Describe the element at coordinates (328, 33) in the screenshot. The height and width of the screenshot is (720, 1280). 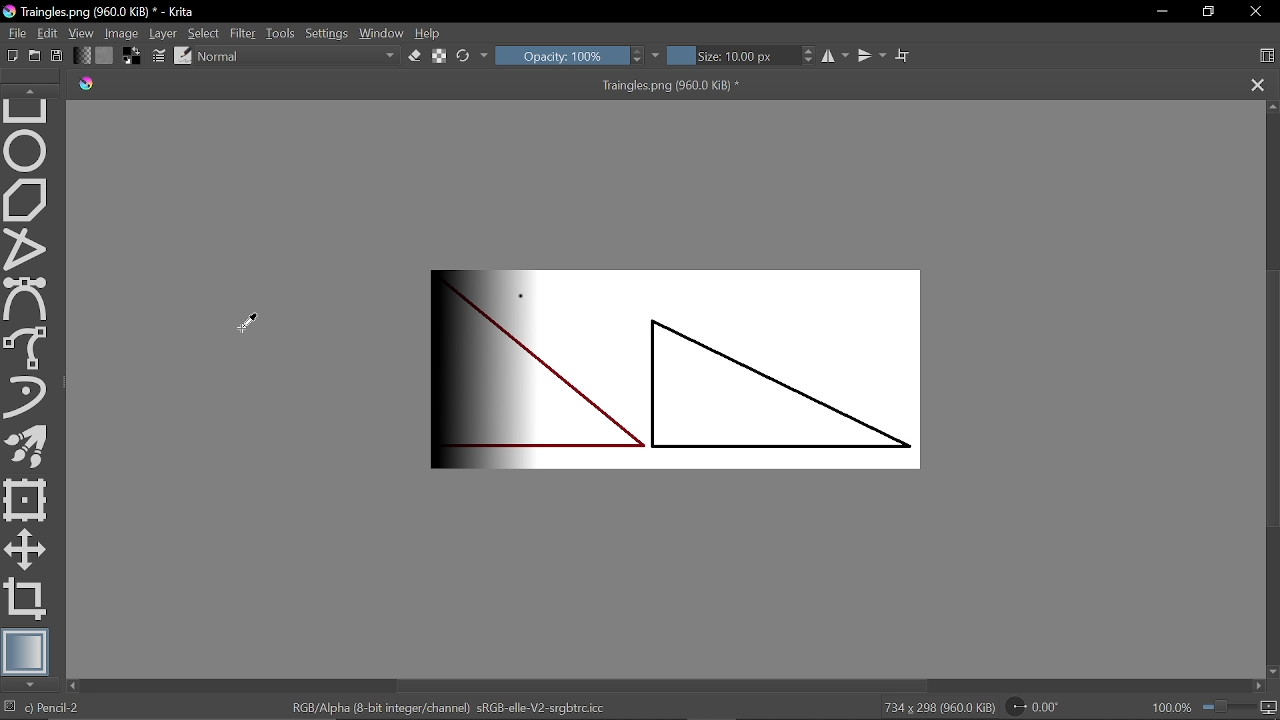
I see `Settings` at that location.